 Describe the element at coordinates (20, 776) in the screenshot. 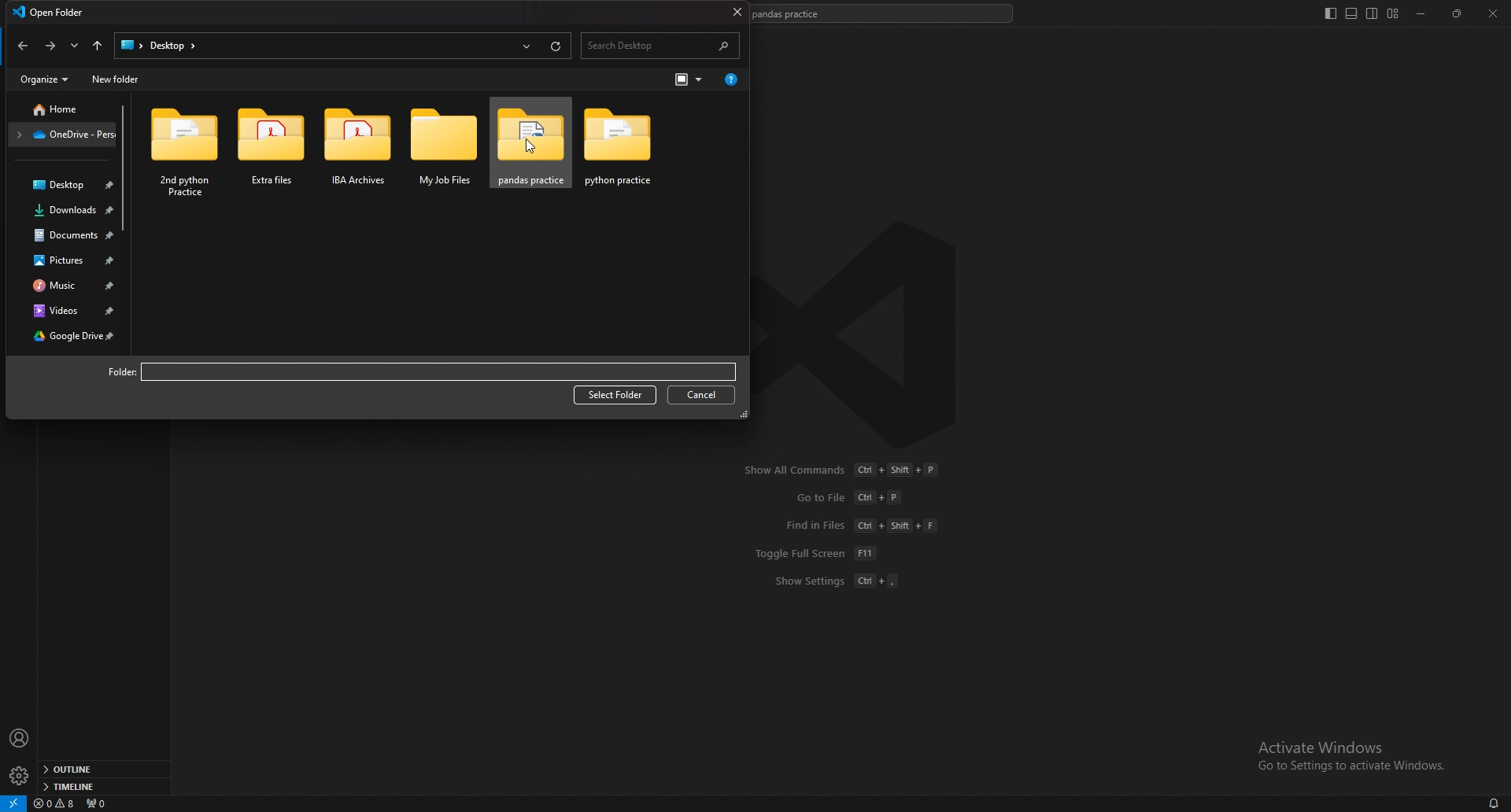

I see `settings` at that location.